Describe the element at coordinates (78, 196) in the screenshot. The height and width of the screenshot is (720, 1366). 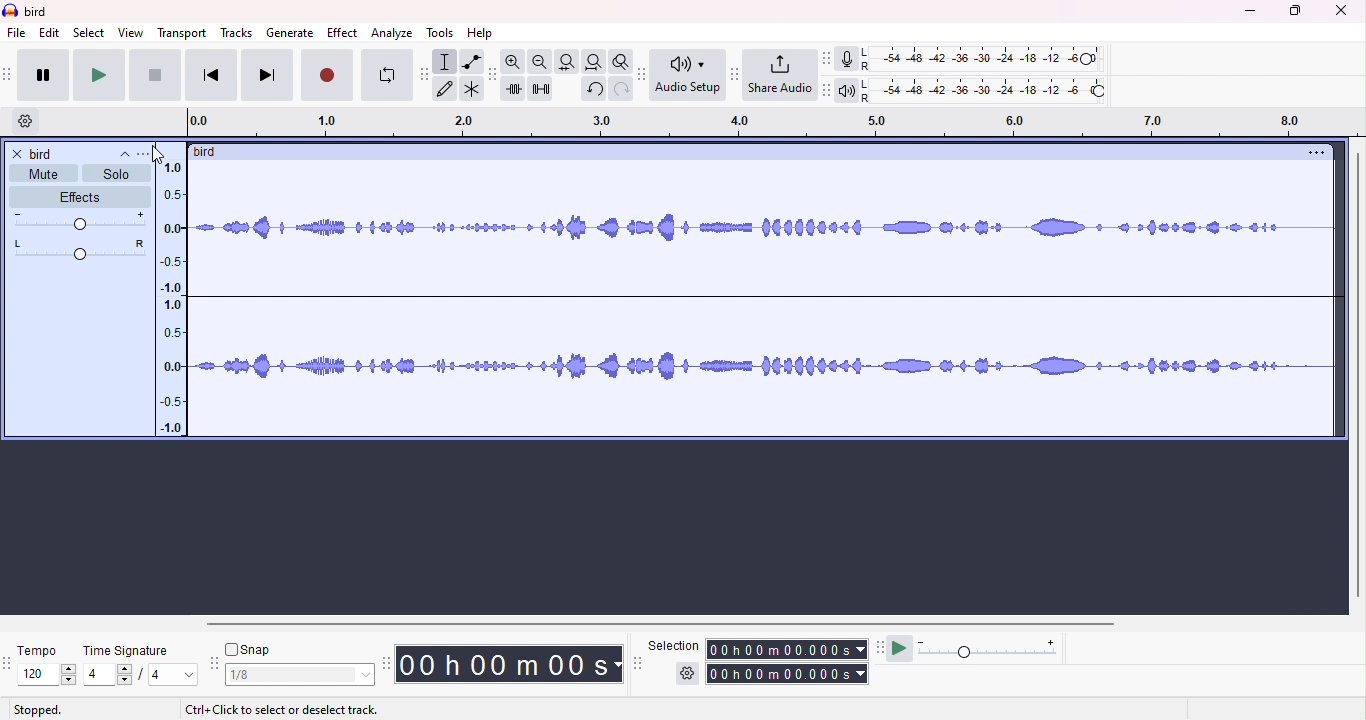
I see `effects` at that location.